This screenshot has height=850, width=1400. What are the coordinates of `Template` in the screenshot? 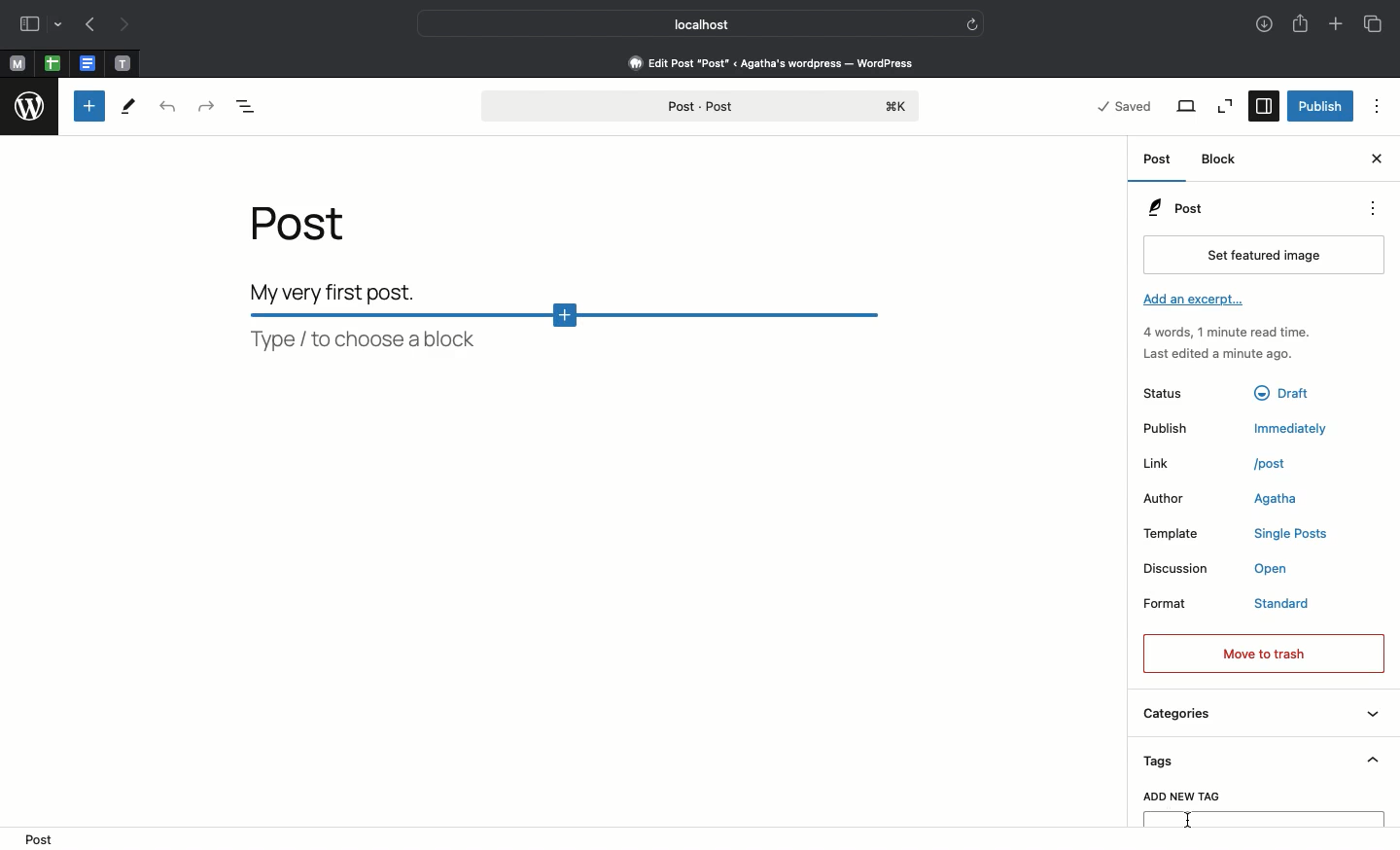 It's located at (1172, 533).